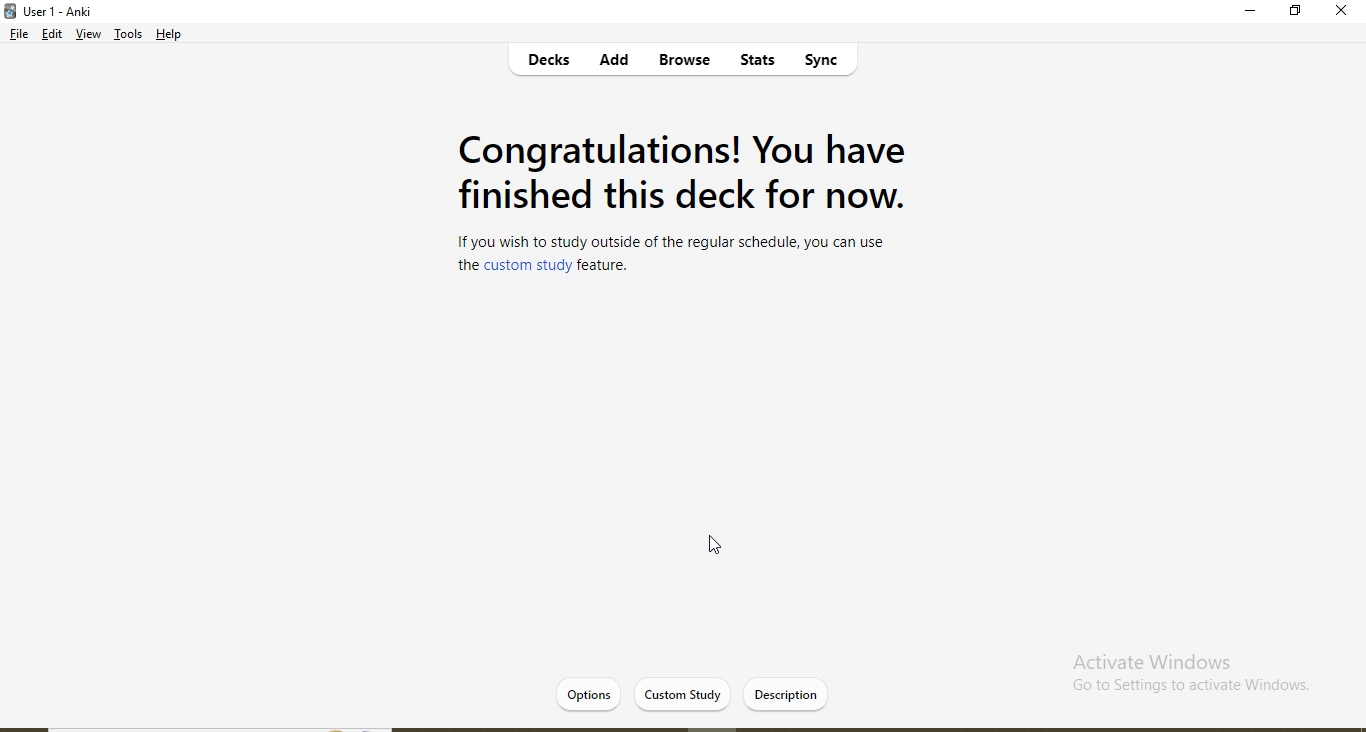 This screenshot has width=1366, height=732. What do you see at coordinates (1252, 14) in the screenshot?
I see `minimise` at bounding box center [1252, 14].